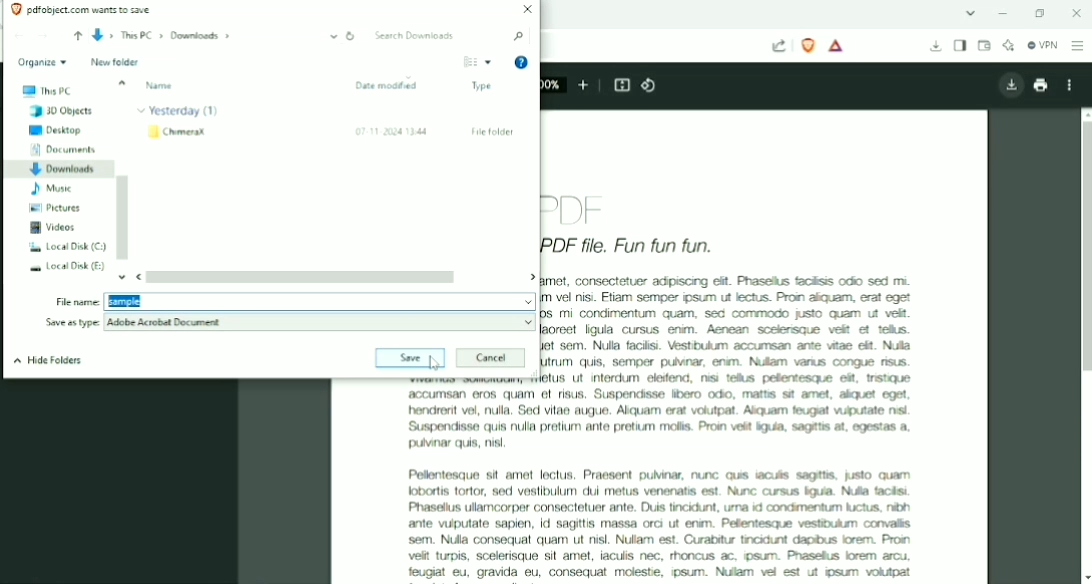 Image resolution: width=1092 pixels, height=584 pixels. What do you see at coordinates (57, 131) in the screenshot?
I see `Desktop` at bounding box center [57, 131].